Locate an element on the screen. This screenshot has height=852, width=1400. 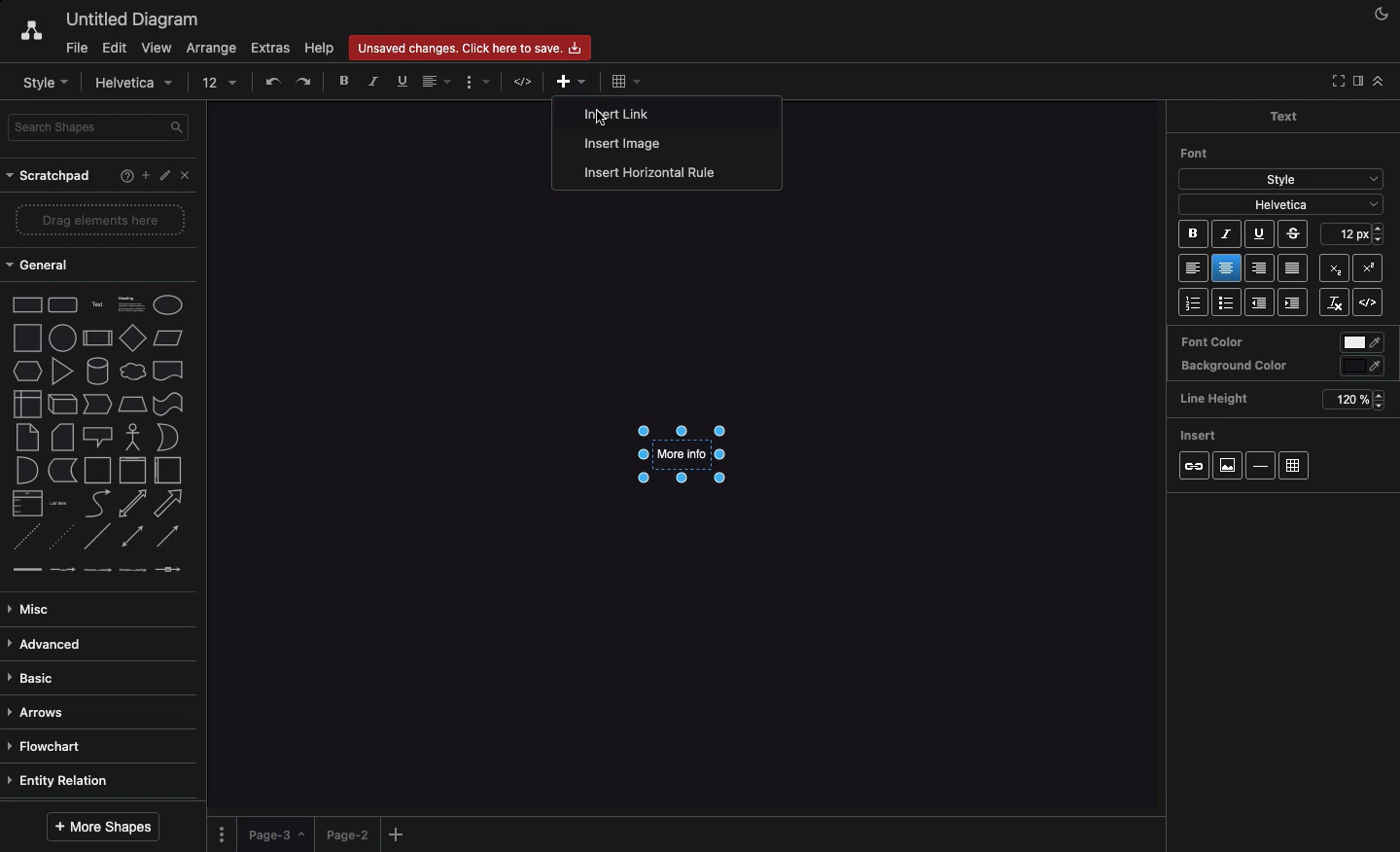
horizontal container is located at coordinates (168, 470).